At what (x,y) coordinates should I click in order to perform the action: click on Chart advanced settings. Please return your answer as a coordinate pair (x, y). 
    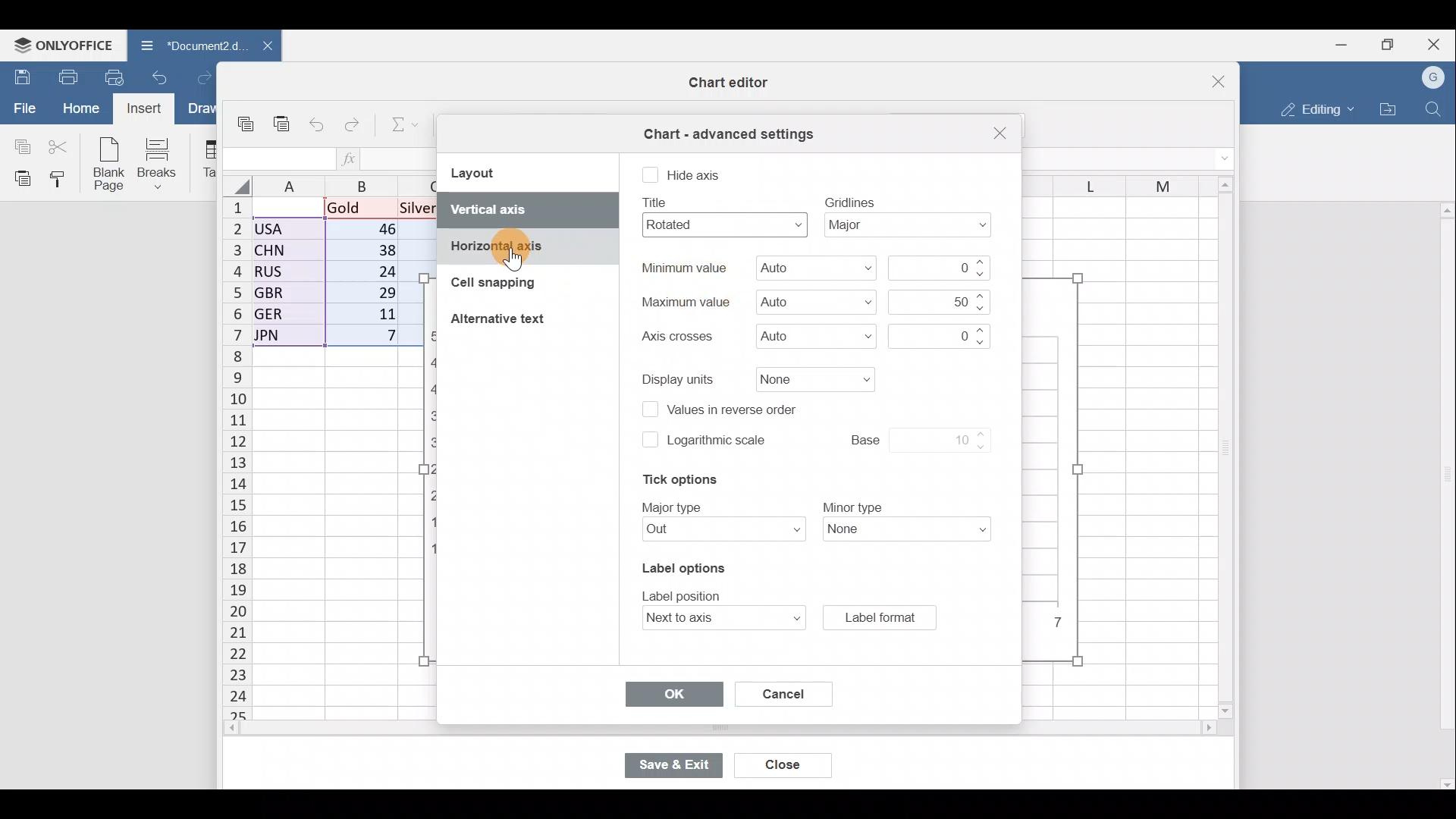
    Looking at the image, I should click on (726, 129).